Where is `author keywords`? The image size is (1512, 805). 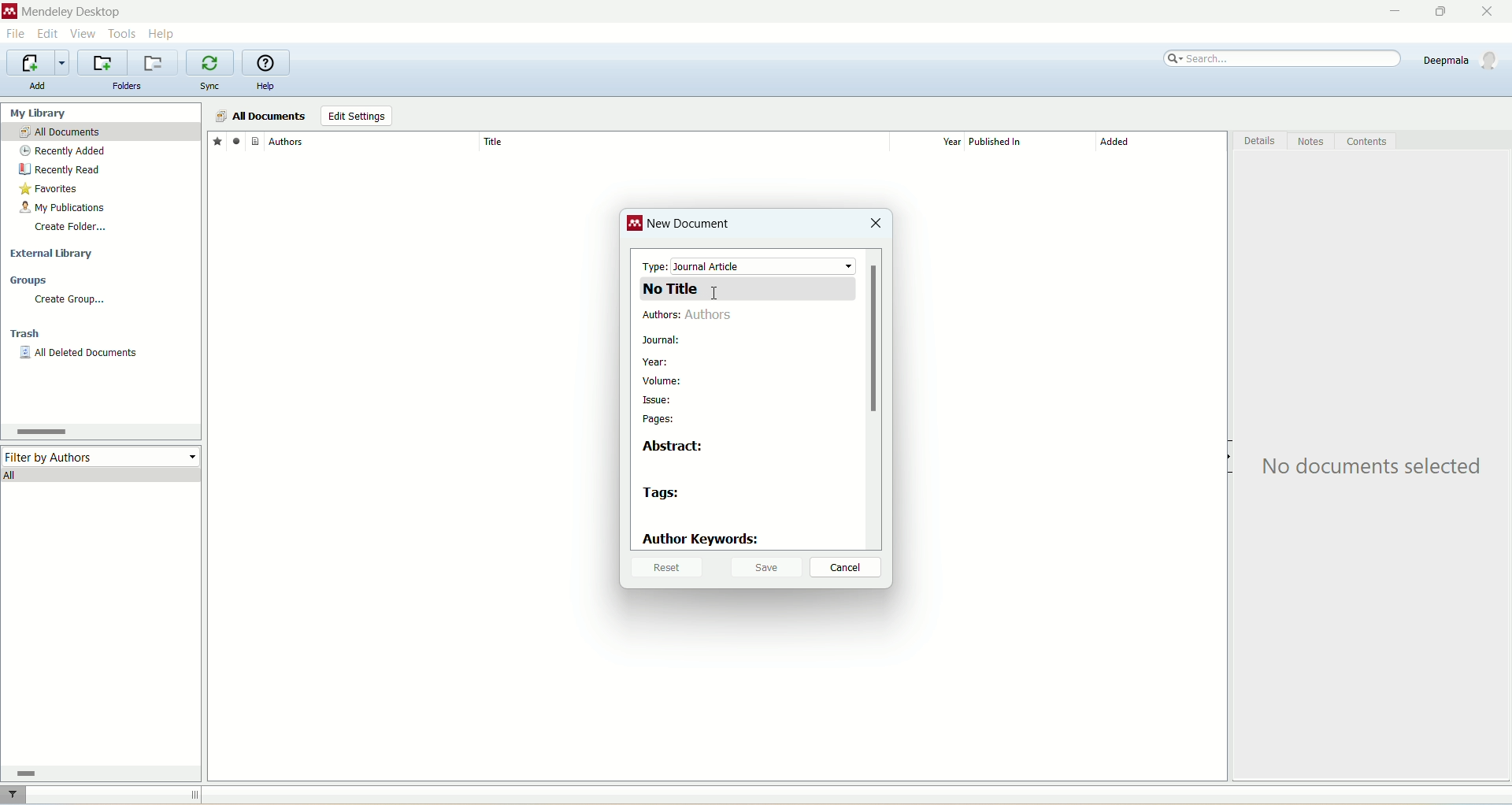 author keywords is located at coordinates (702, 540).